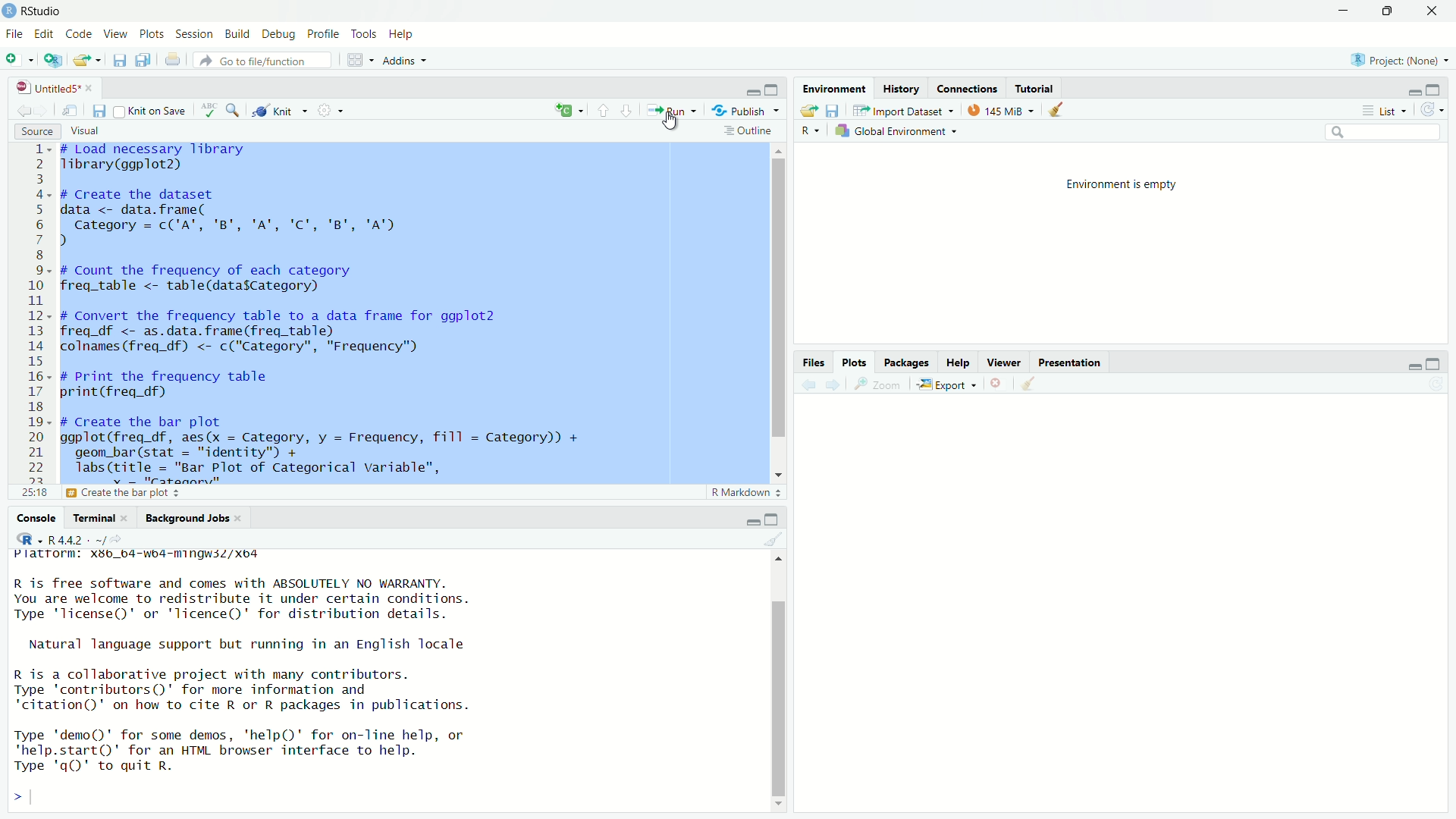 The height and width of the screenshot is (819, 1456). Describe the element at coordinates (834, 111) in the screenshot. I see `save` at that location.